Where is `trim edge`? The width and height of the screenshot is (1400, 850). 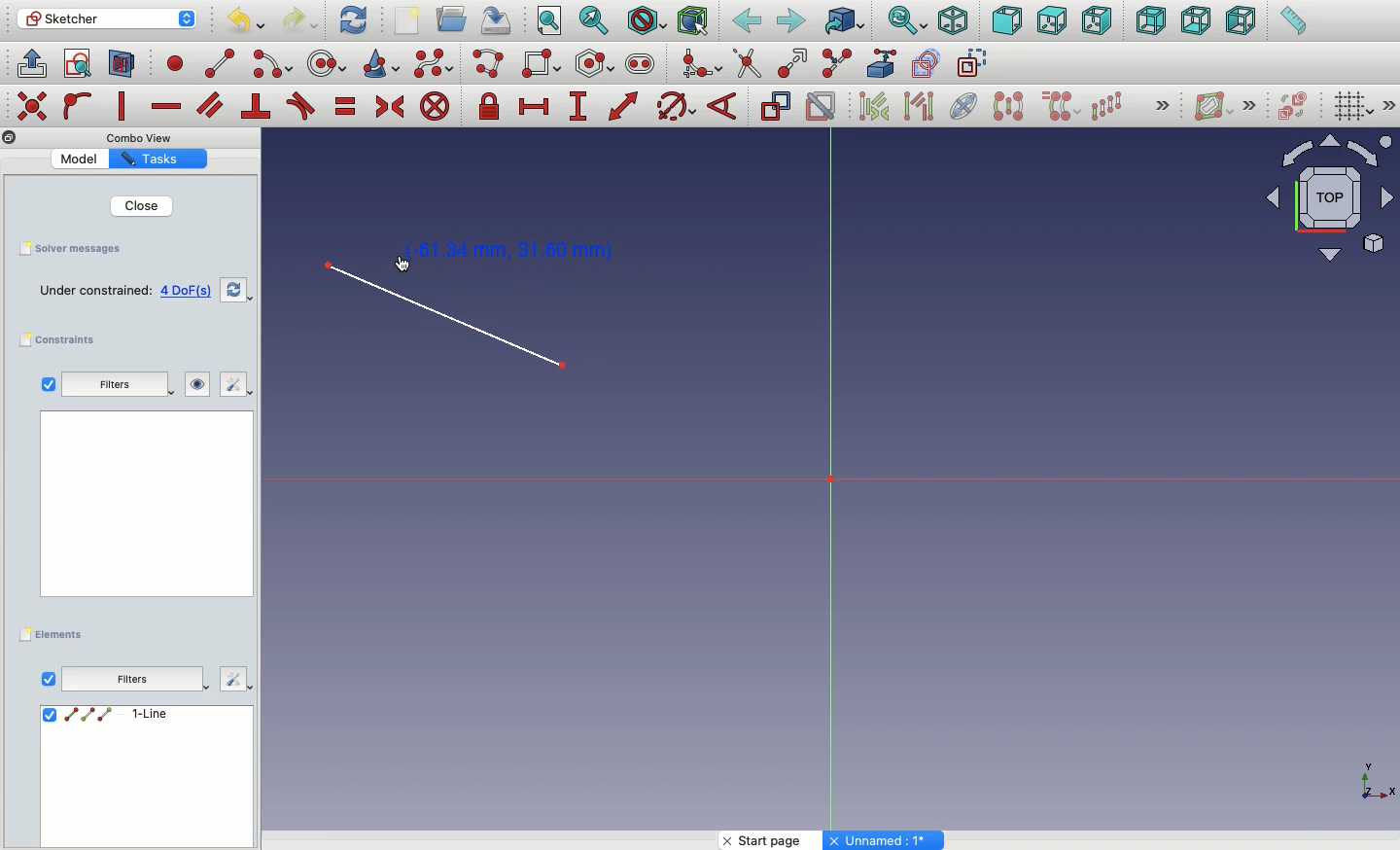 trim edge is located at coordinates (747, 64).